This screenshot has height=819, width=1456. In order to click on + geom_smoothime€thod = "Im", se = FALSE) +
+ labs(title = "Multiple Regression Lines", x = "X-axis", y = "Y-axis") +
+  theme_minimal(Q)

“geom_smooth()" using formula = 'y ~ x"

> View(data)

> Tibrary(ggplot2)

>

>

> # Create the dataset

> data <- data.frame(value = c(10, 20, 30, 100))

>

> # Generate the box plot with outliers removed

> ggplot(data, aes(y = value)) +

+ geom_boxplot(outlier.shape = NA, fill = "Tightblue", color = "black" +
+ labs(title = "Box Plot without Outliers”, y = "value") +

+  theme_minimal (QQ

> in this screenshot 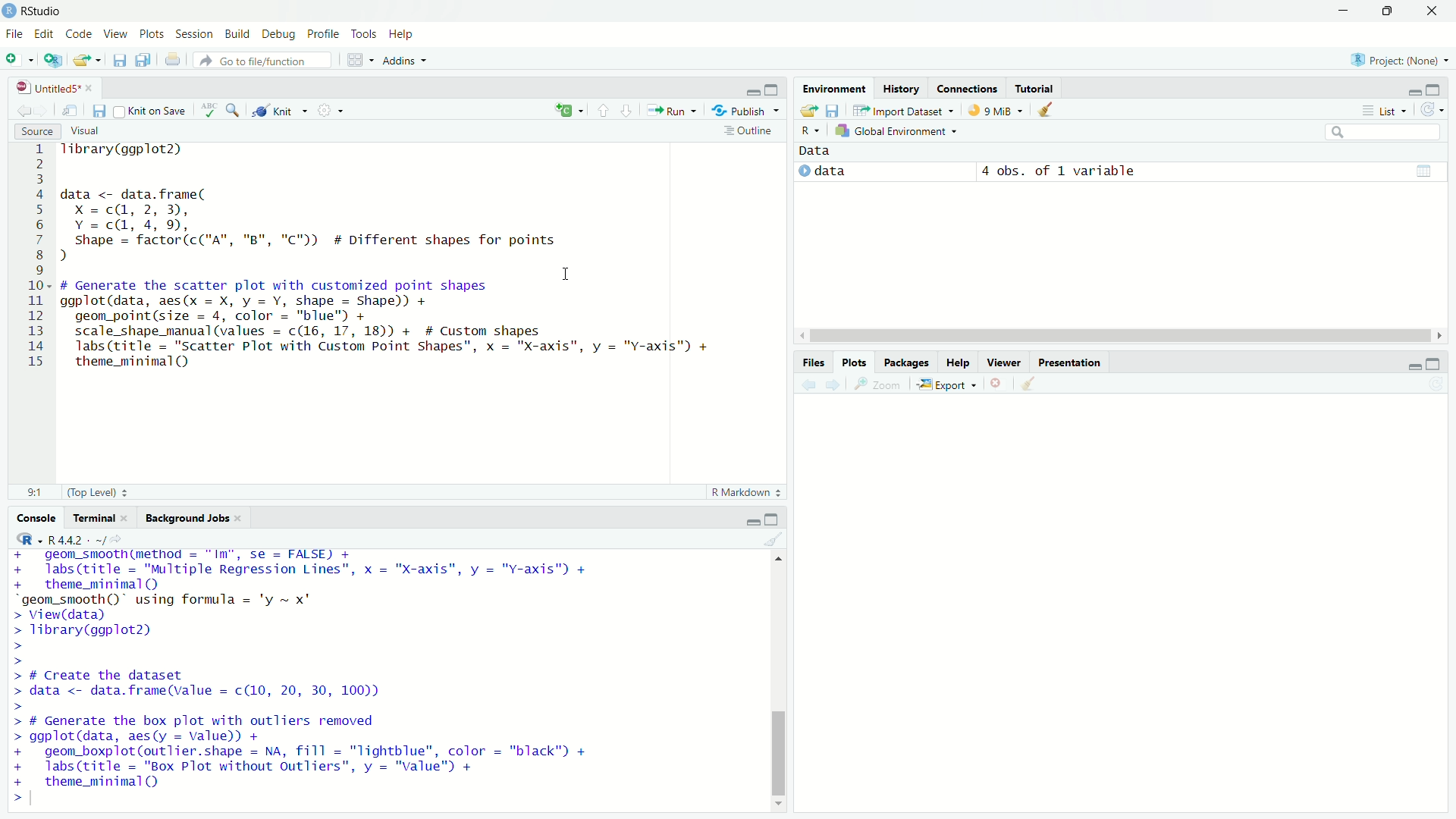, I will do `click(308, 678)`.